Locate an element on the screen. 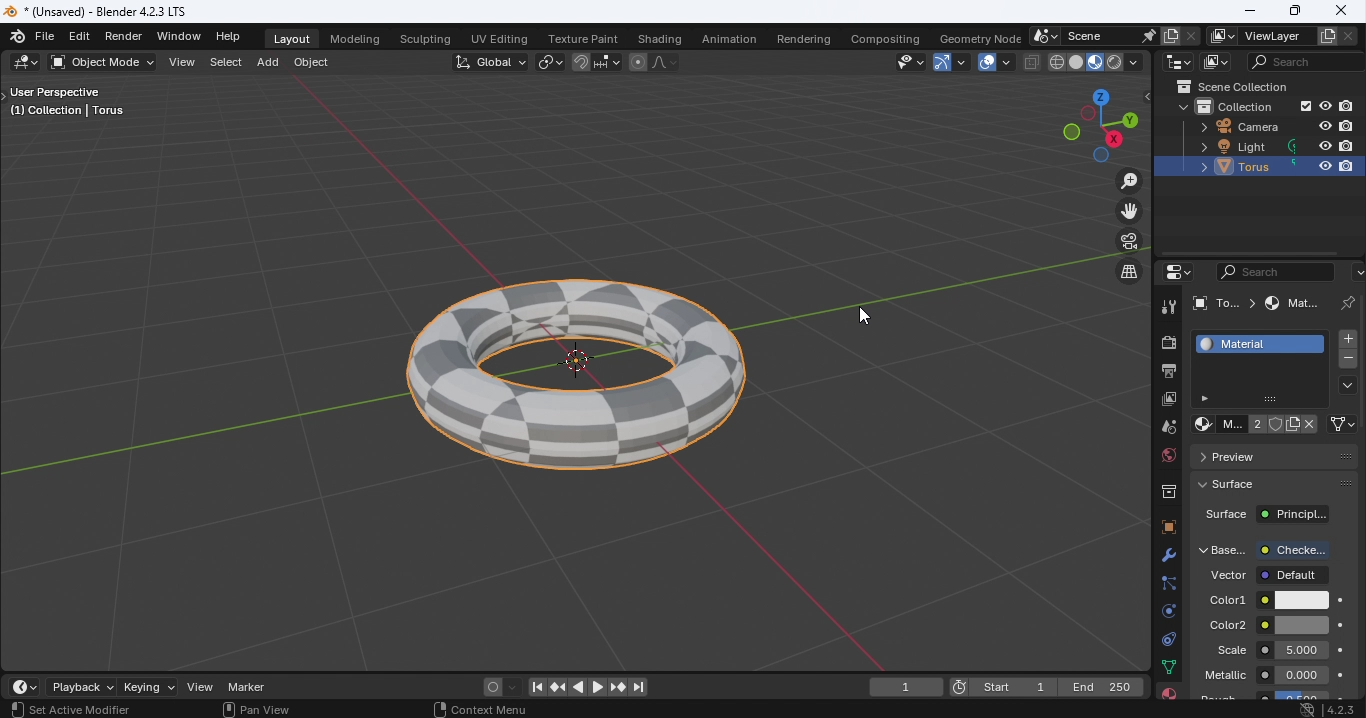 The image size is (1366, 718). Disable in renders is located at coordinates (1347, 126).